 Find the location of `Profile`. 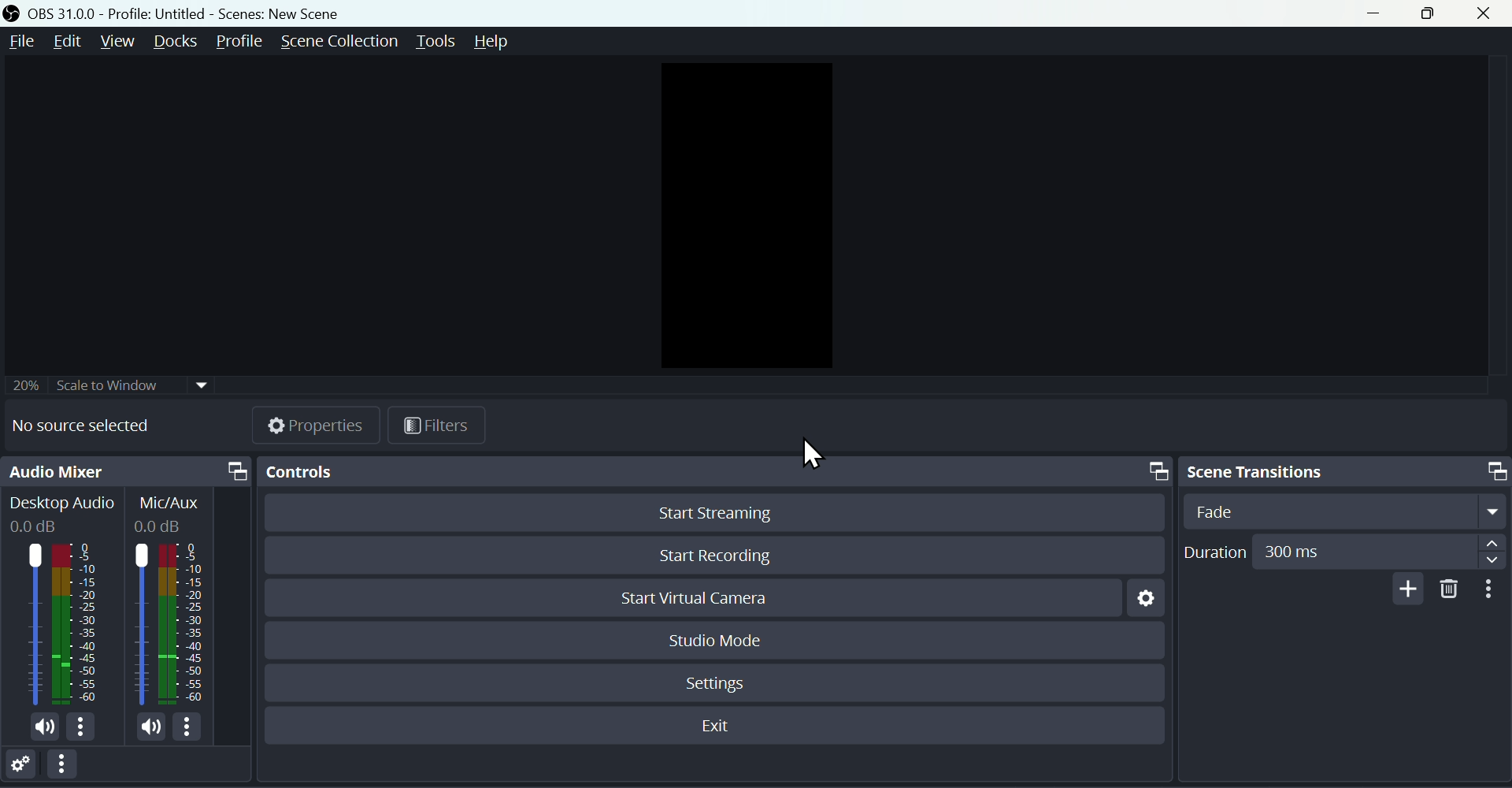

Profile is located at coordinates (243, 40).